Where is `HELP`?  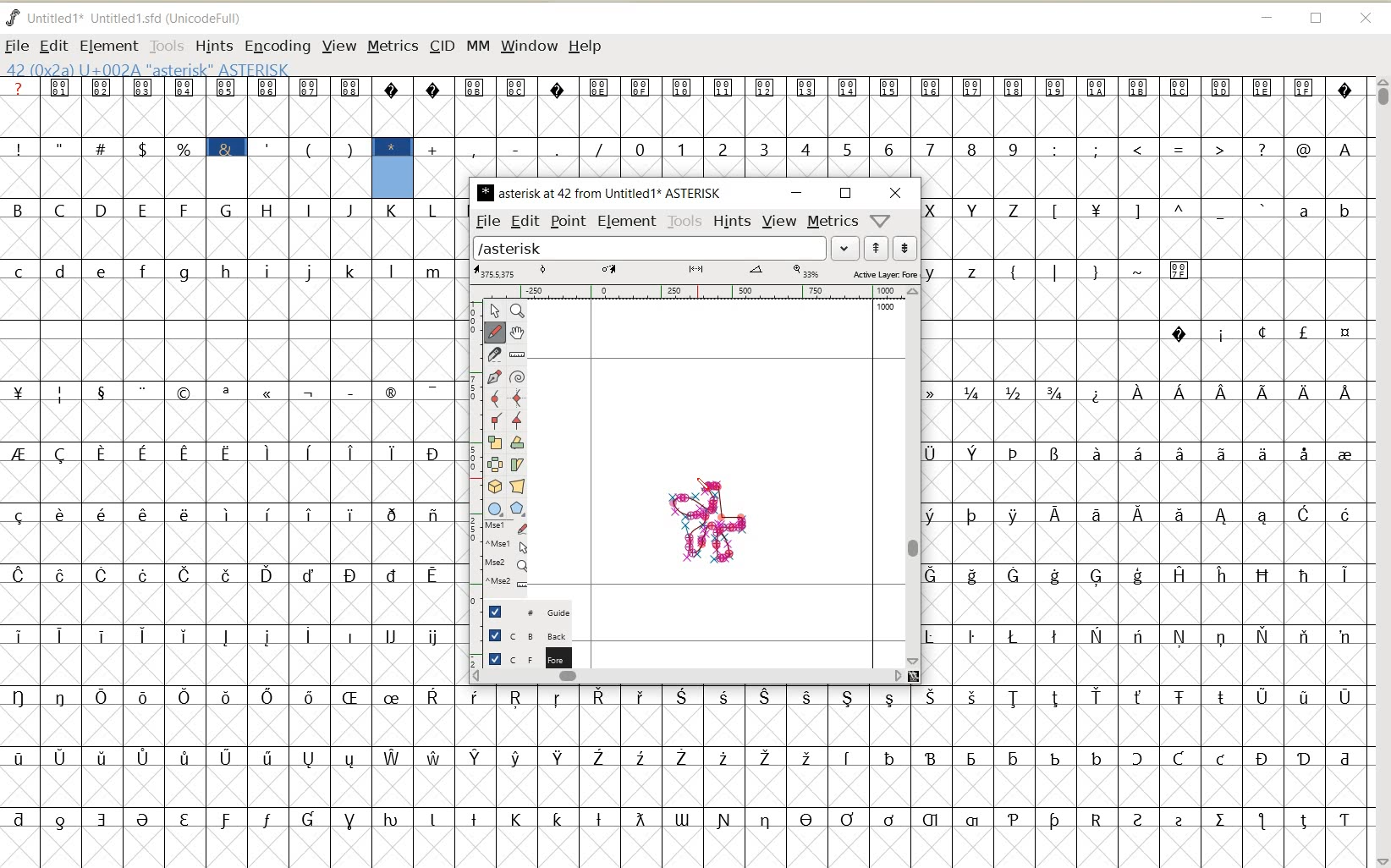
HELP is located at coordinates (585, 47).